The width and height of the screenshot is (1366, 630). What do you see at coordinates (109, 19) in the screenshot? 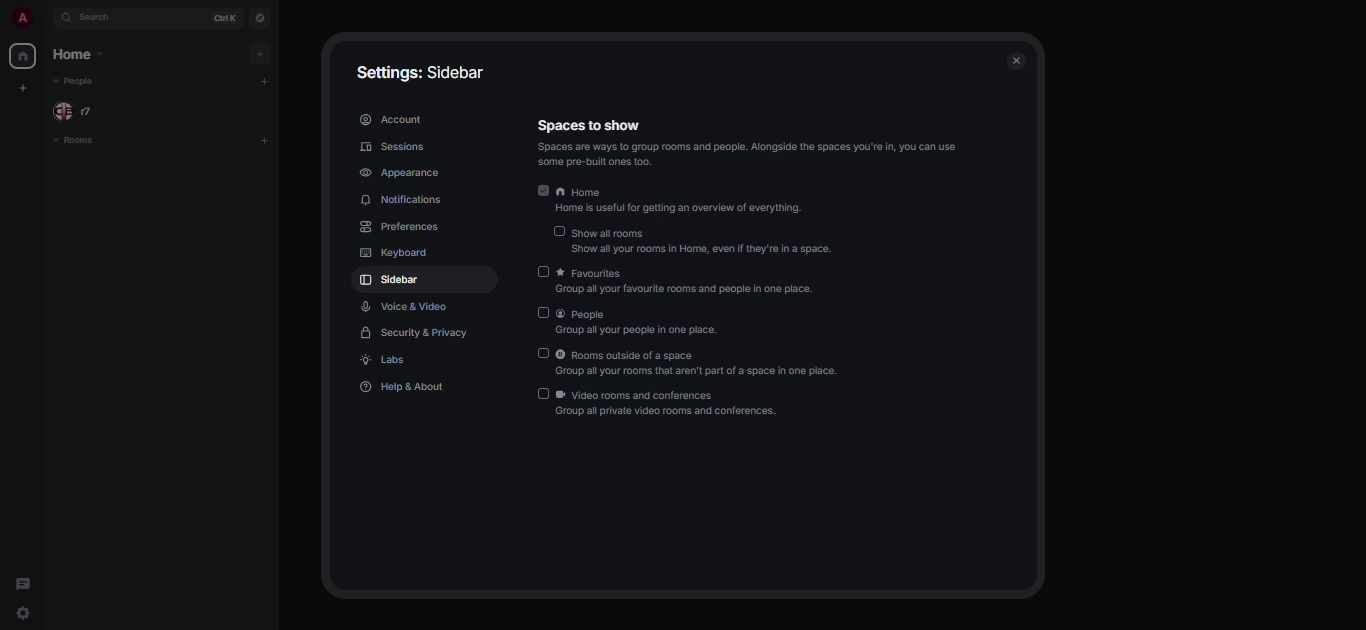
I see `search` at bounding box center [109, 19].